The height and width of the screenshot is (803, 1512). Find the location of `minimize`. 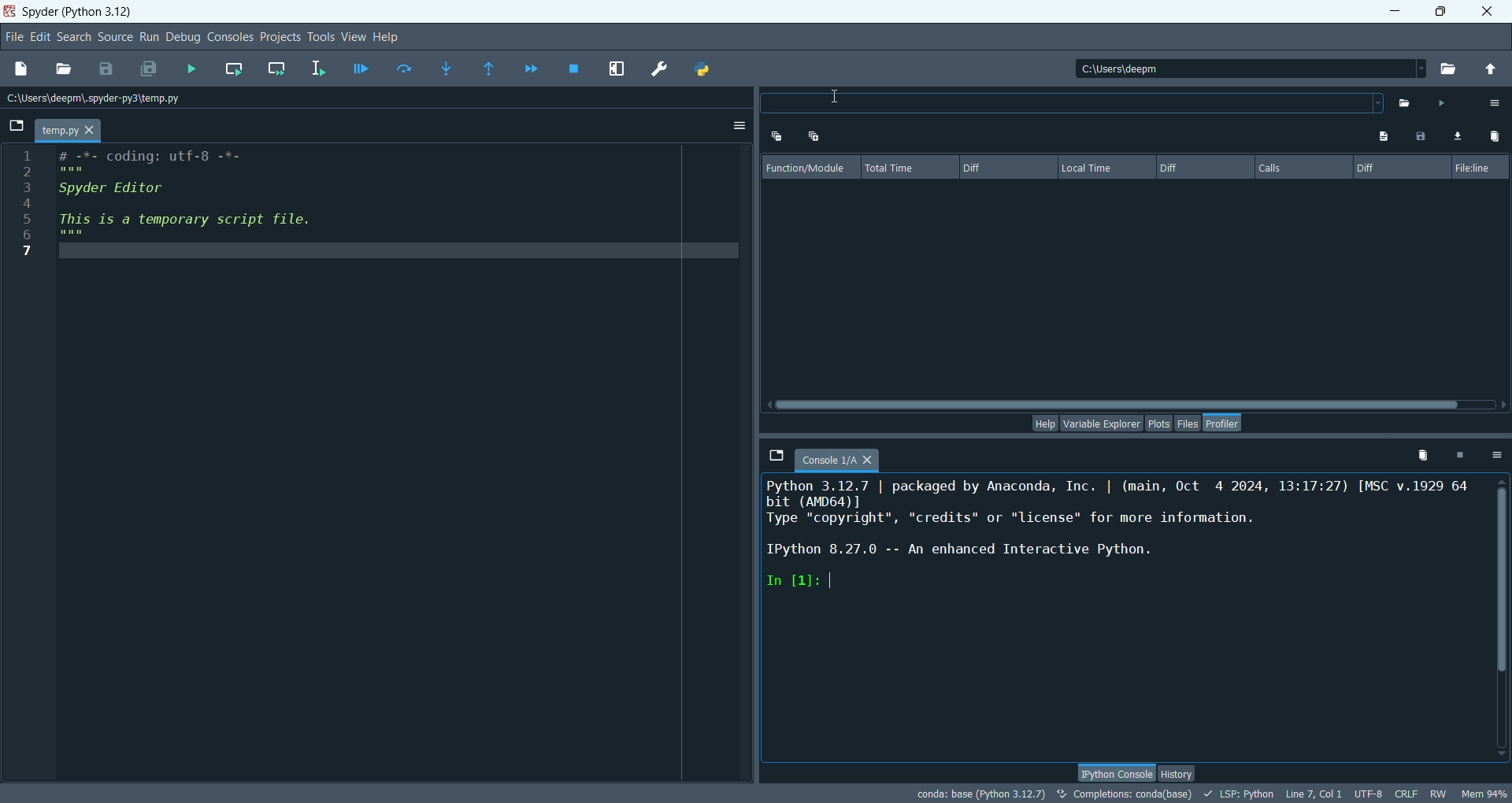

minimize is located at coordinates (1399, 9).